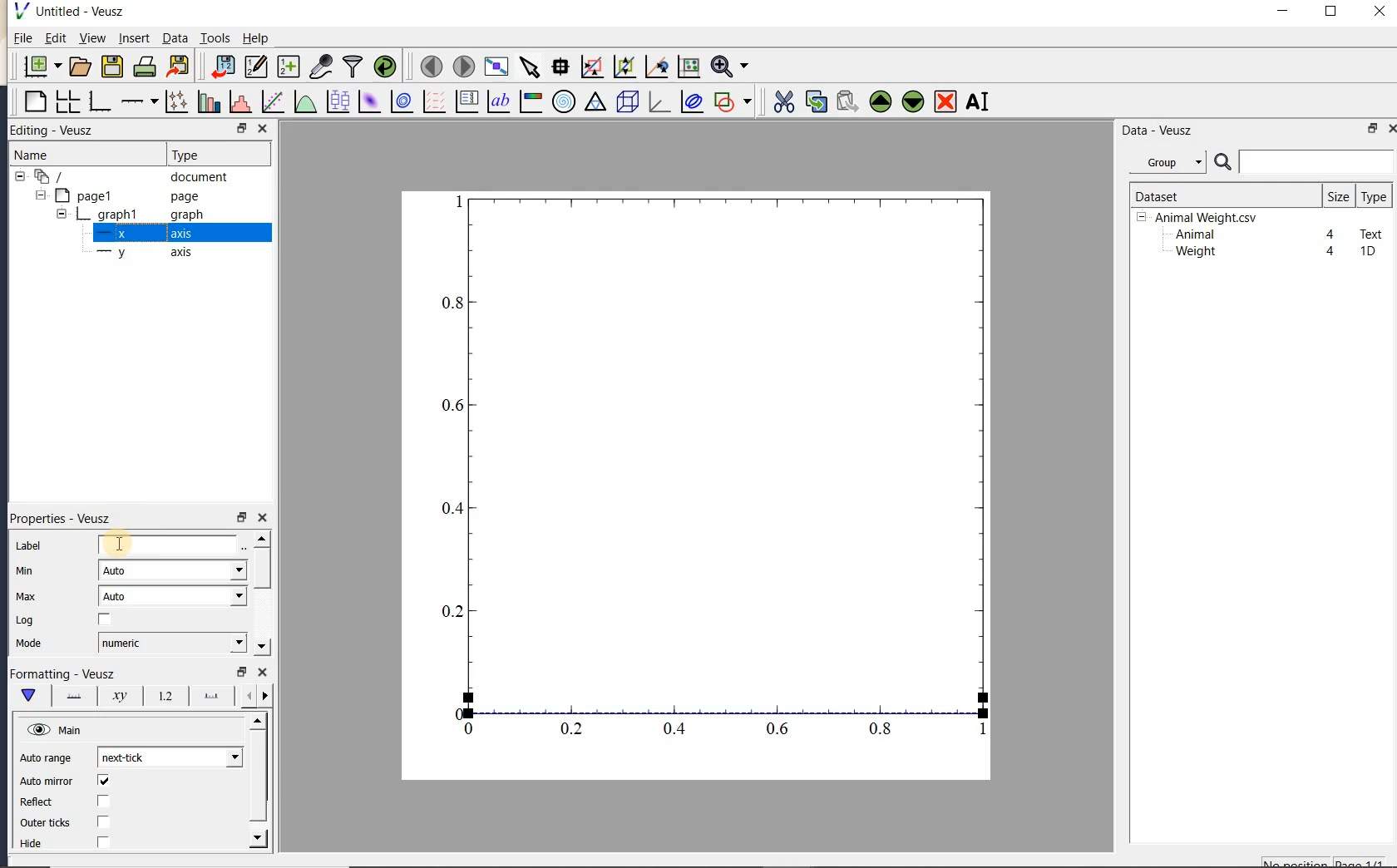 The image size is (1397, 868). I want to click on restore, so click(240, 518).